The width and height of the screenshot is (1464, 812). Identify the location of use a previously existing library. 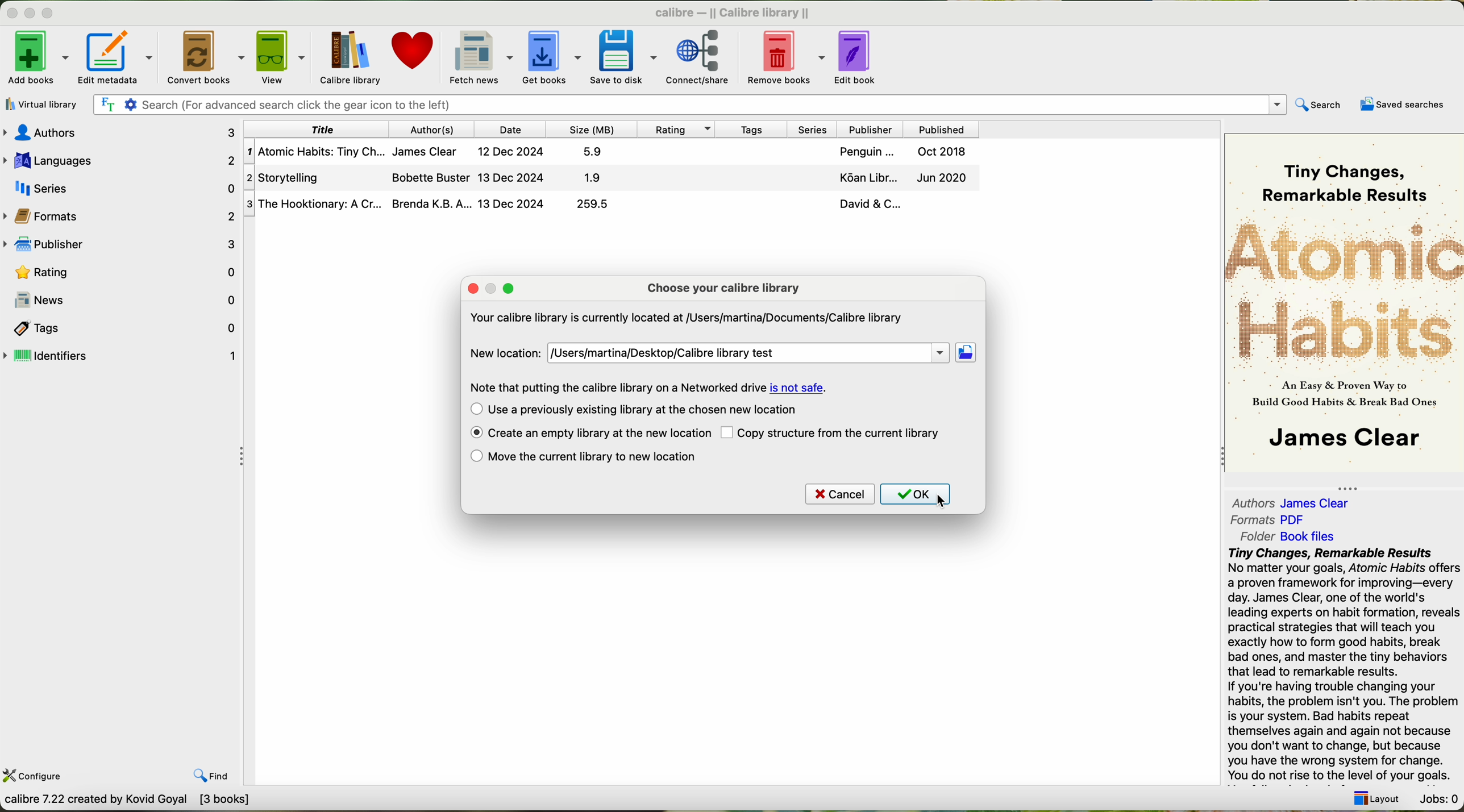
(634, 409).